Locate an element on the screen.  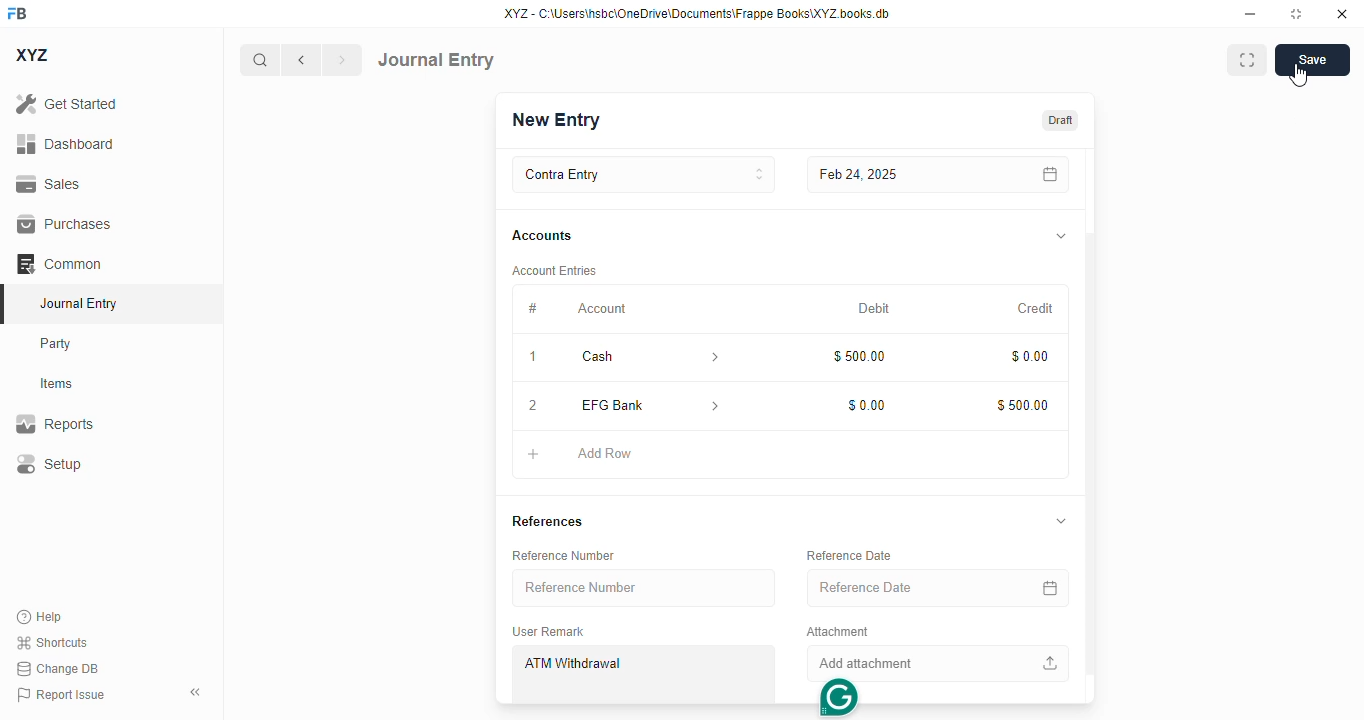
toggle expand/collapse is located at coordinates (1061, 237).